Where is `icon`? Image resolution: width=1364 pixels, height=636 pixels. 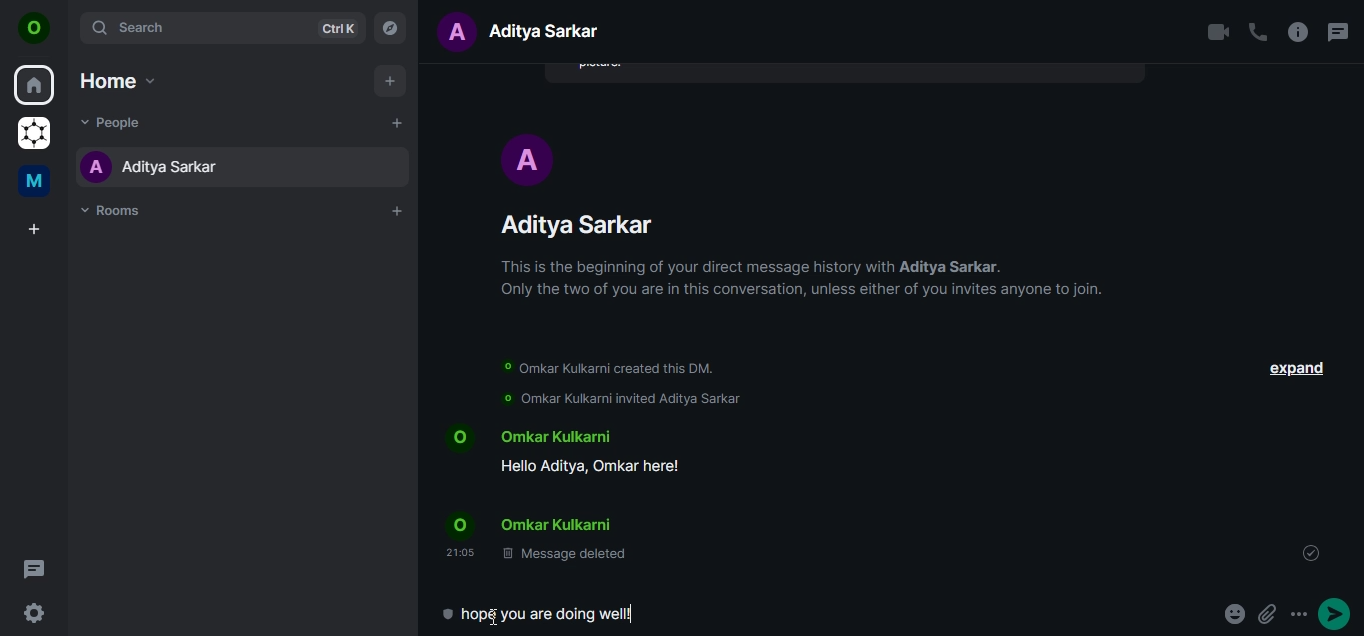 icon is located at coordinates (34, 28).